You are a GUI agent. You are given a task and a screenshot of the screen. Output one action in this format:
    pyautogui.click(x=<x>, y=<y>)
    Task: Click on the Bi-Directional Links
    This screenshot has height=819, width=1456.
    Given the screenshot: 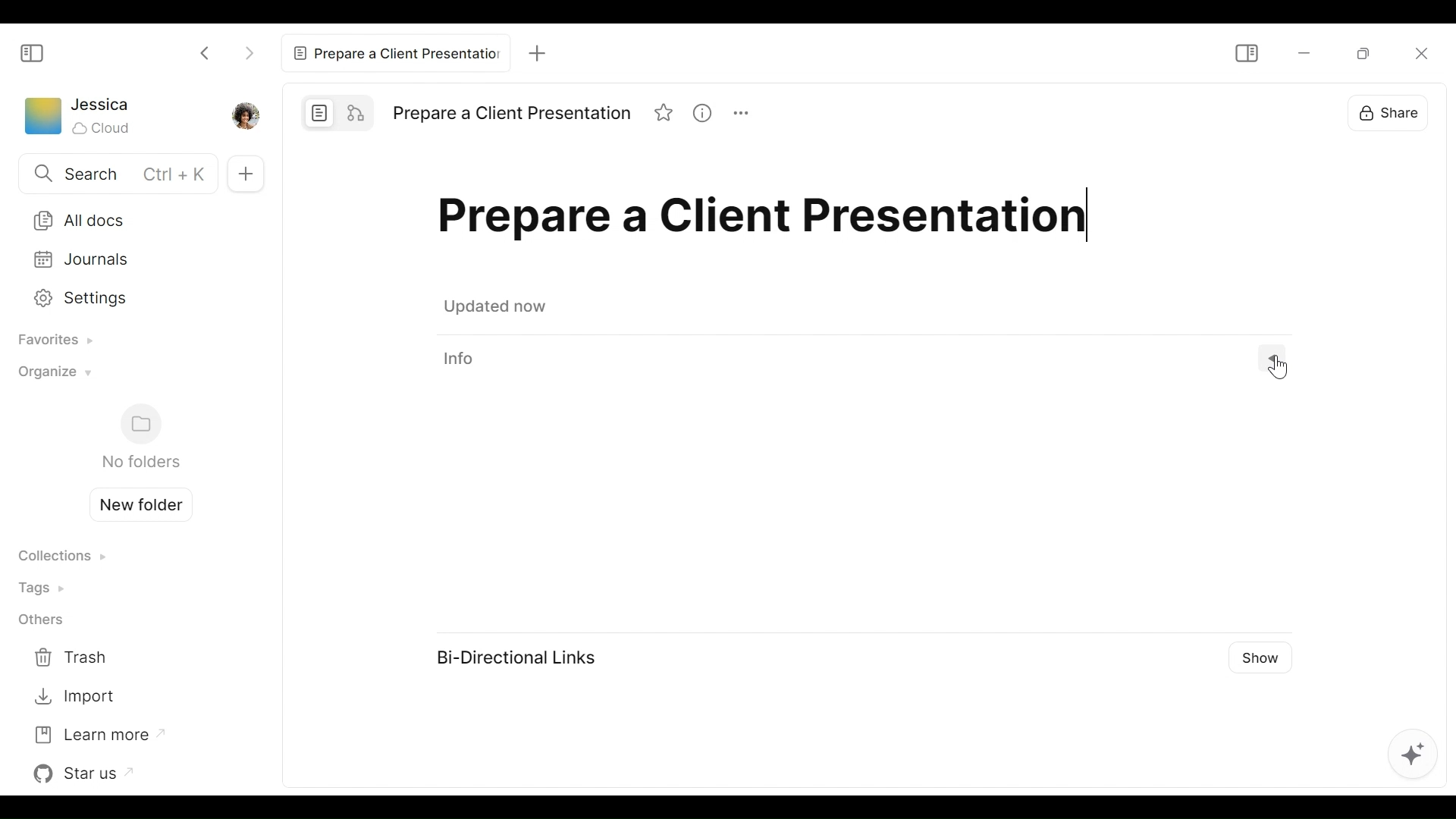 What is the action you would take?
    pyautogui.click(x=516, y=657)
    